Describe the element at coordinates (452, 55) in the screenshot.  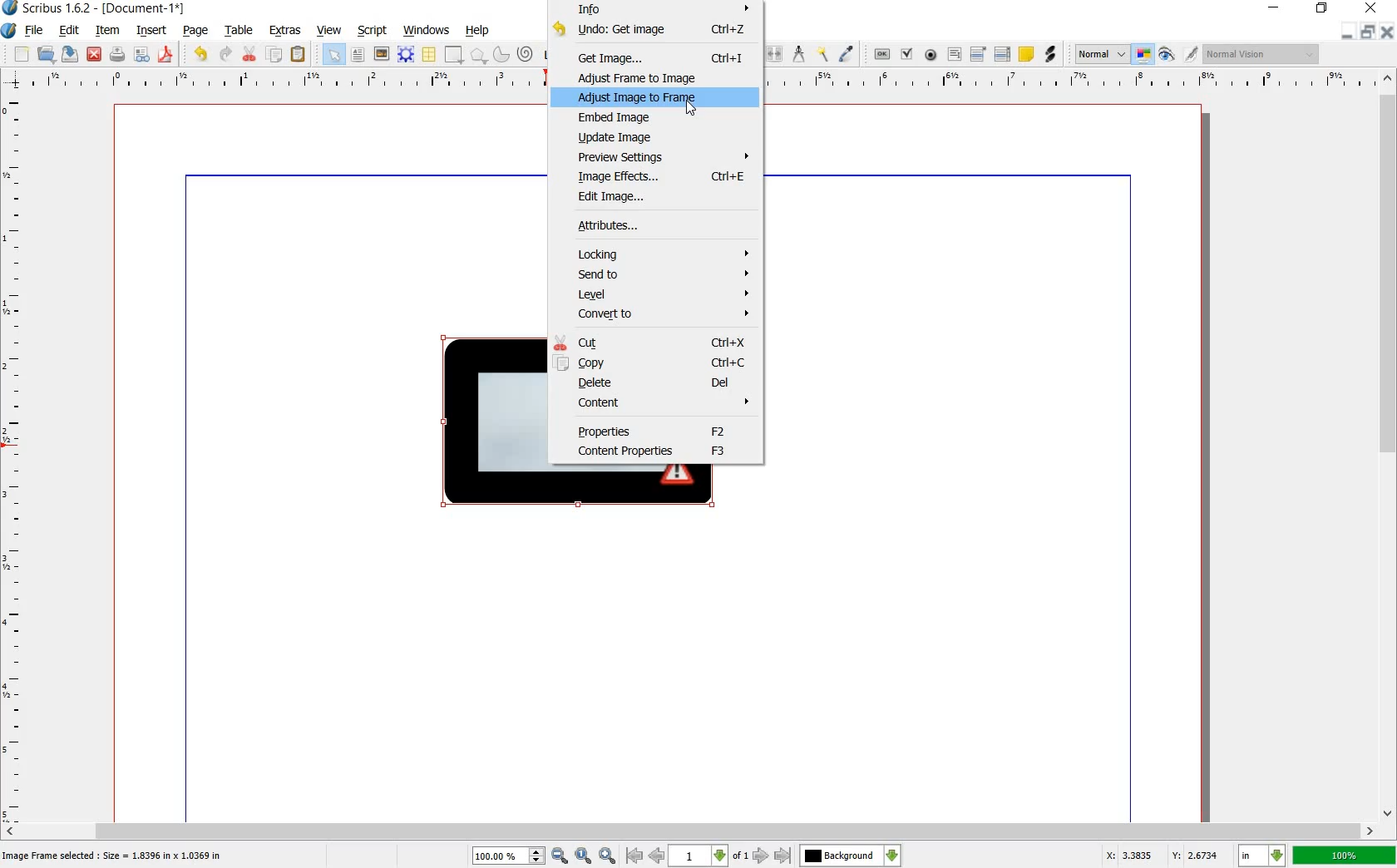
I see `shape` at that location.